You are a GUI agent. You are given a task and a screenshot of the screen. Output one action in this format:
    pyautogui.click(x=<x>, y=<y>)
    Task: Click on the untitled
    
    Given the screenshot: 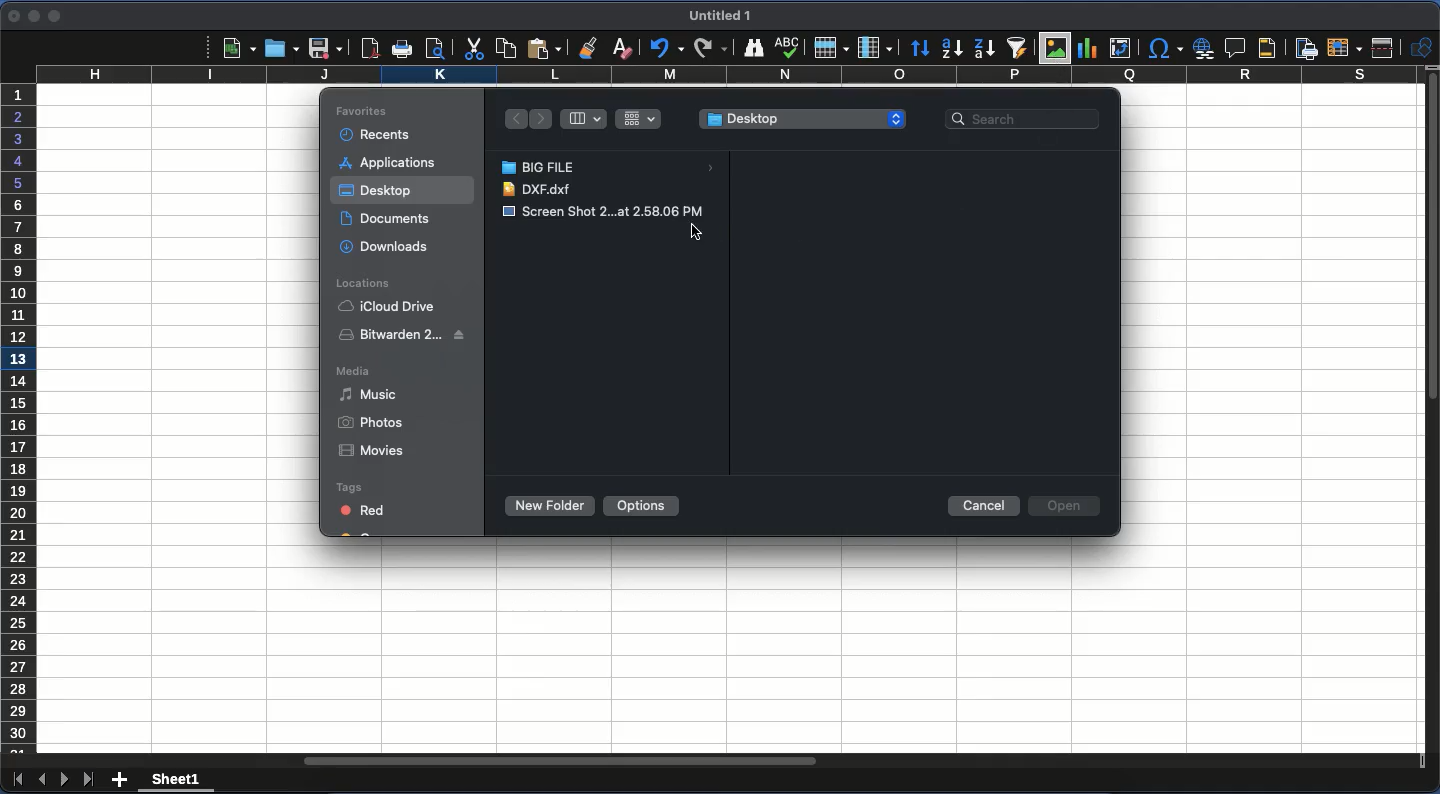 What is the action you would take?
    pyautogui.click(x=719, y=15)
    